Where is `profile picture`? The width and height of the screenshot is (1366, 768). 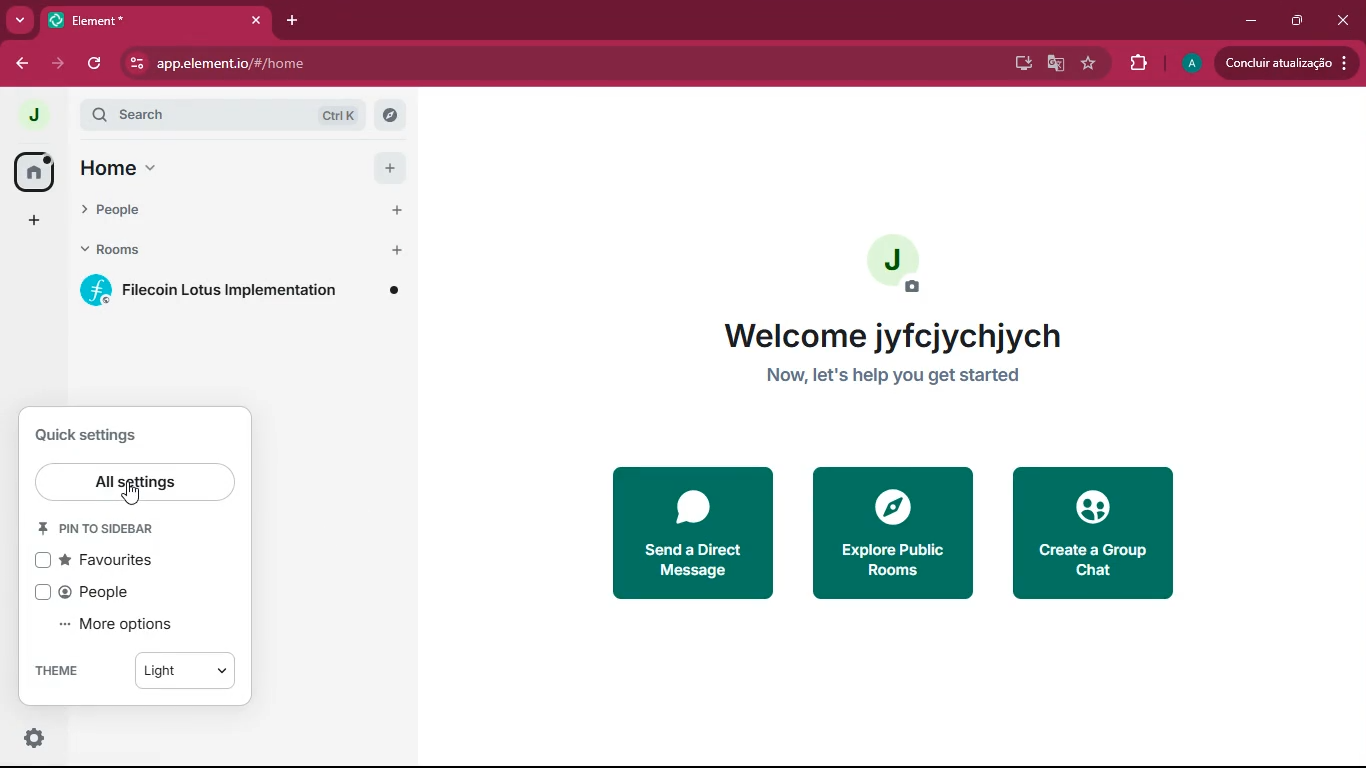 profile picture is located at coordinates (33, 116).